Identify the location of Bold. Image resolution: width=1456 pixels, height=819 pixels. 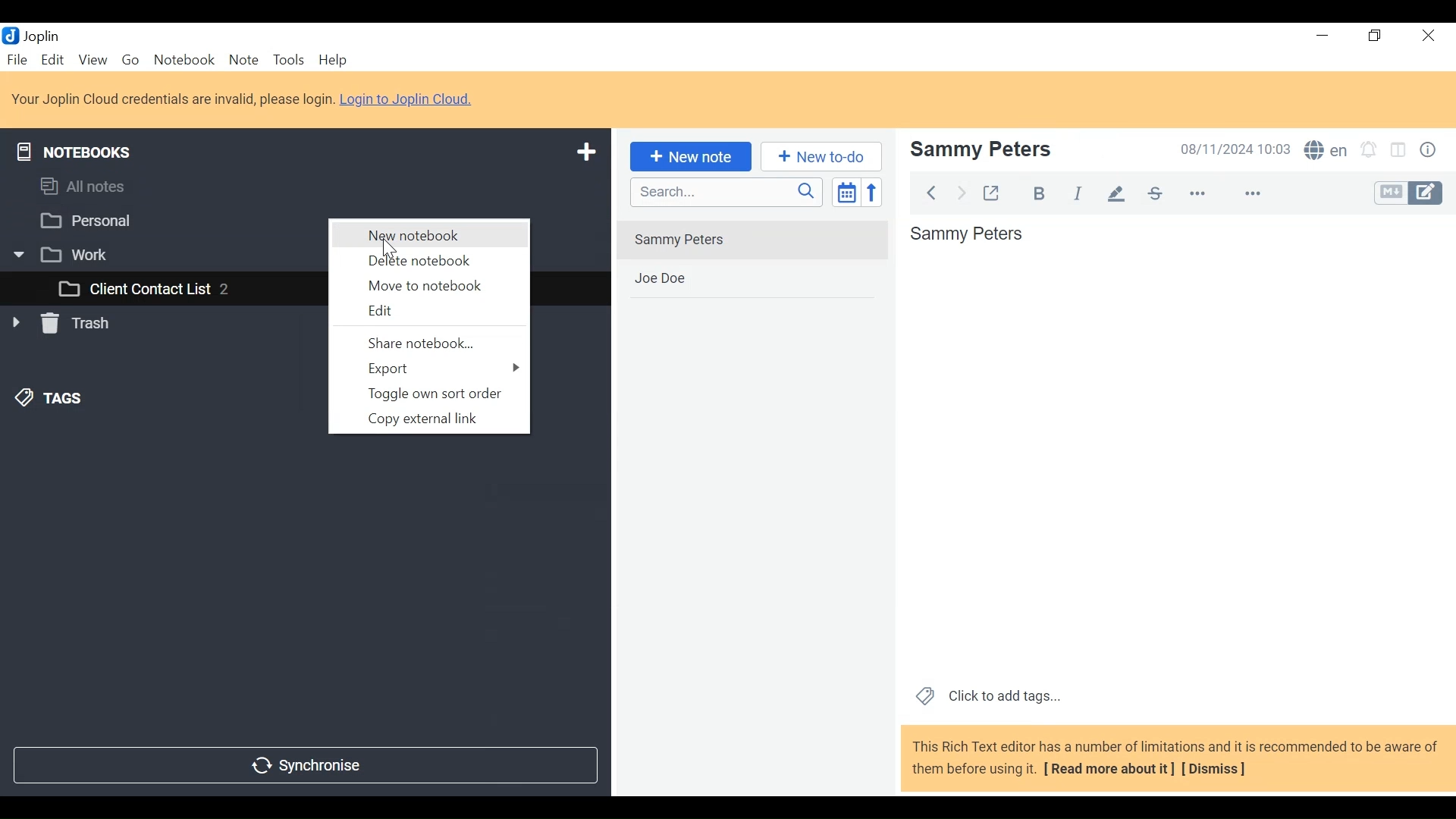
(1040, 194).